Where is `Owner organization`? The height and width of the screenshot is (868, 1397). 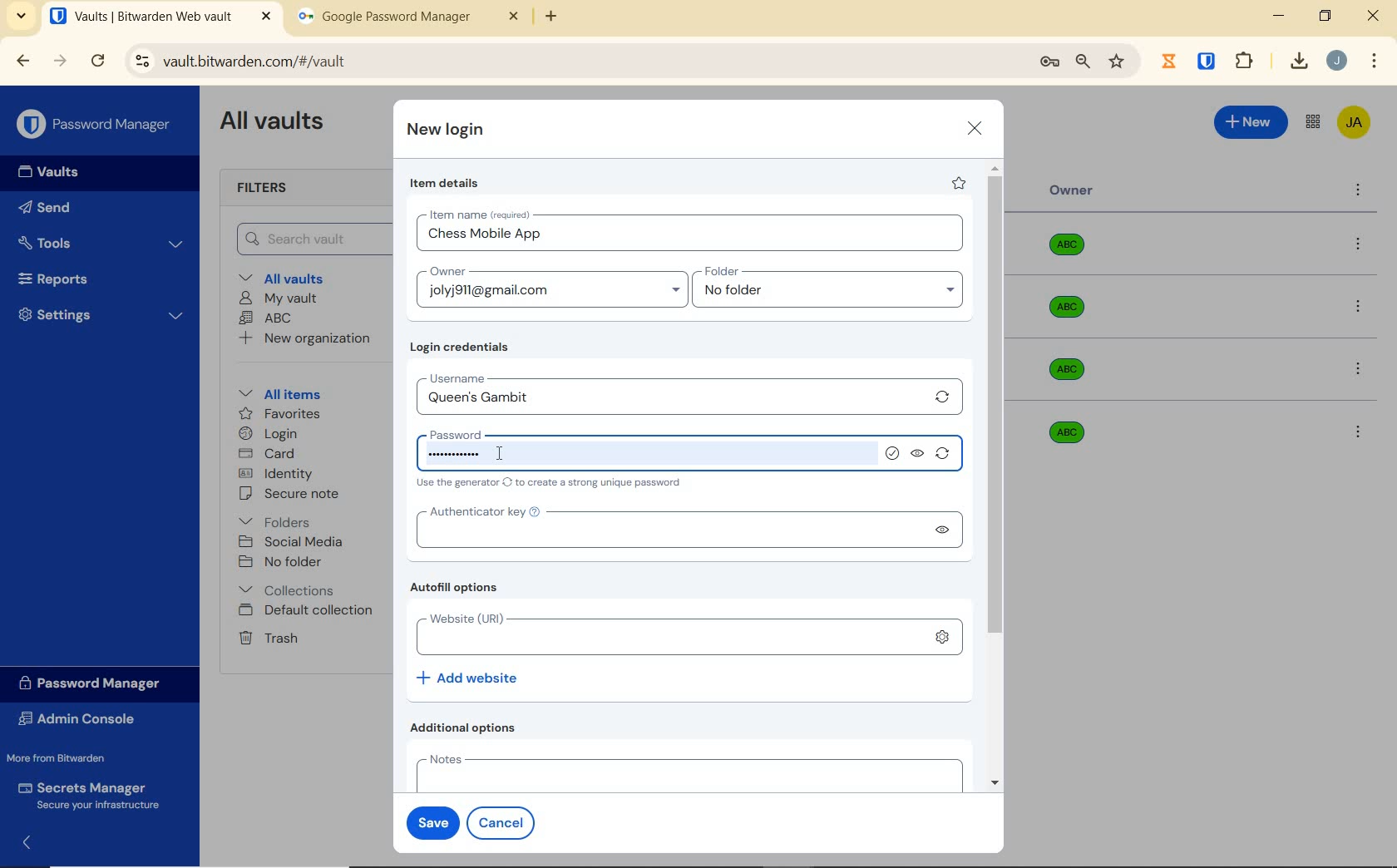 Owner organization is located at coordinates (1073, 251).